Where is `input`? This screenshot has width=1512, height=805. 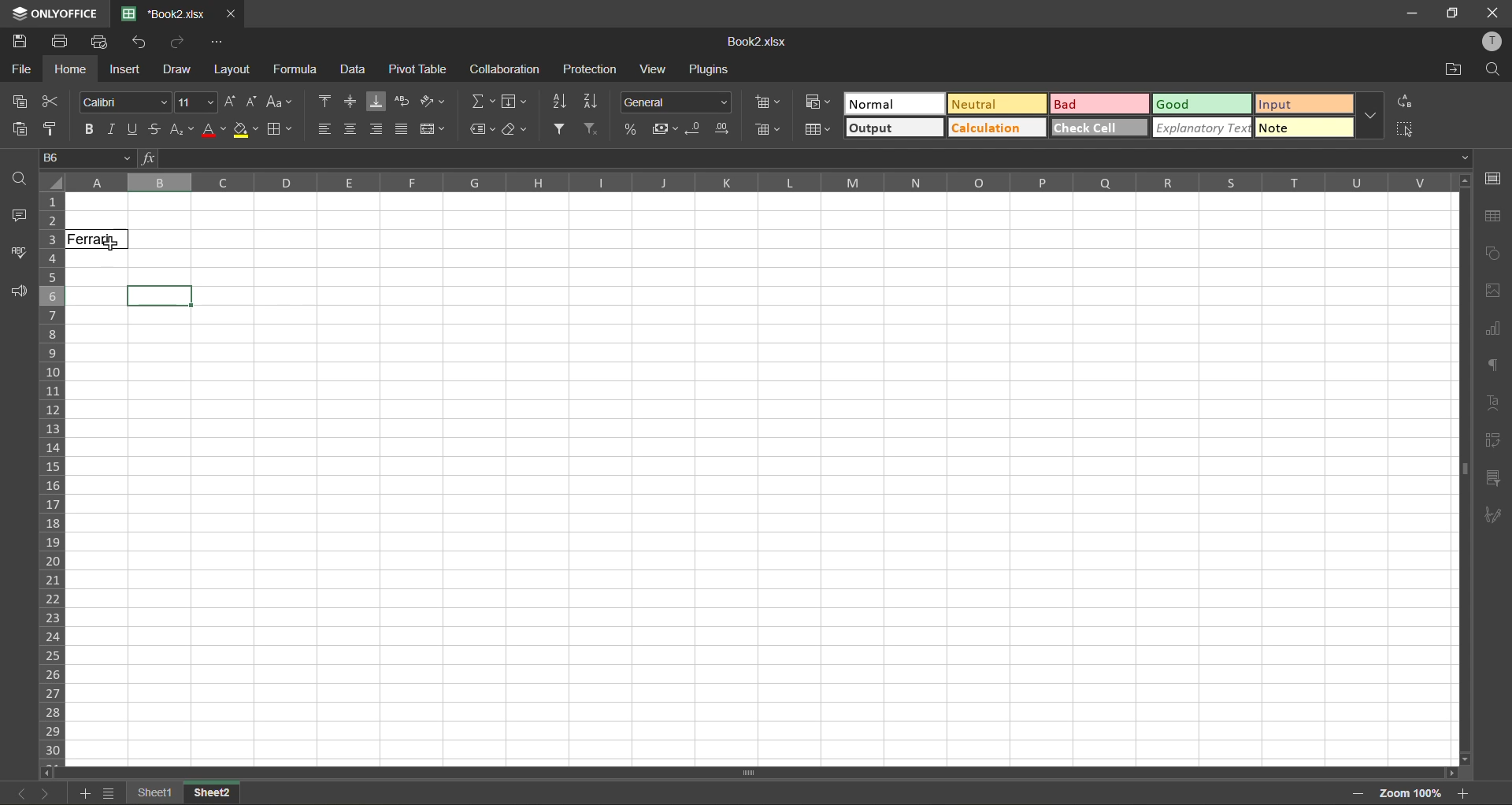 input is located at coordinates (1305, 104).